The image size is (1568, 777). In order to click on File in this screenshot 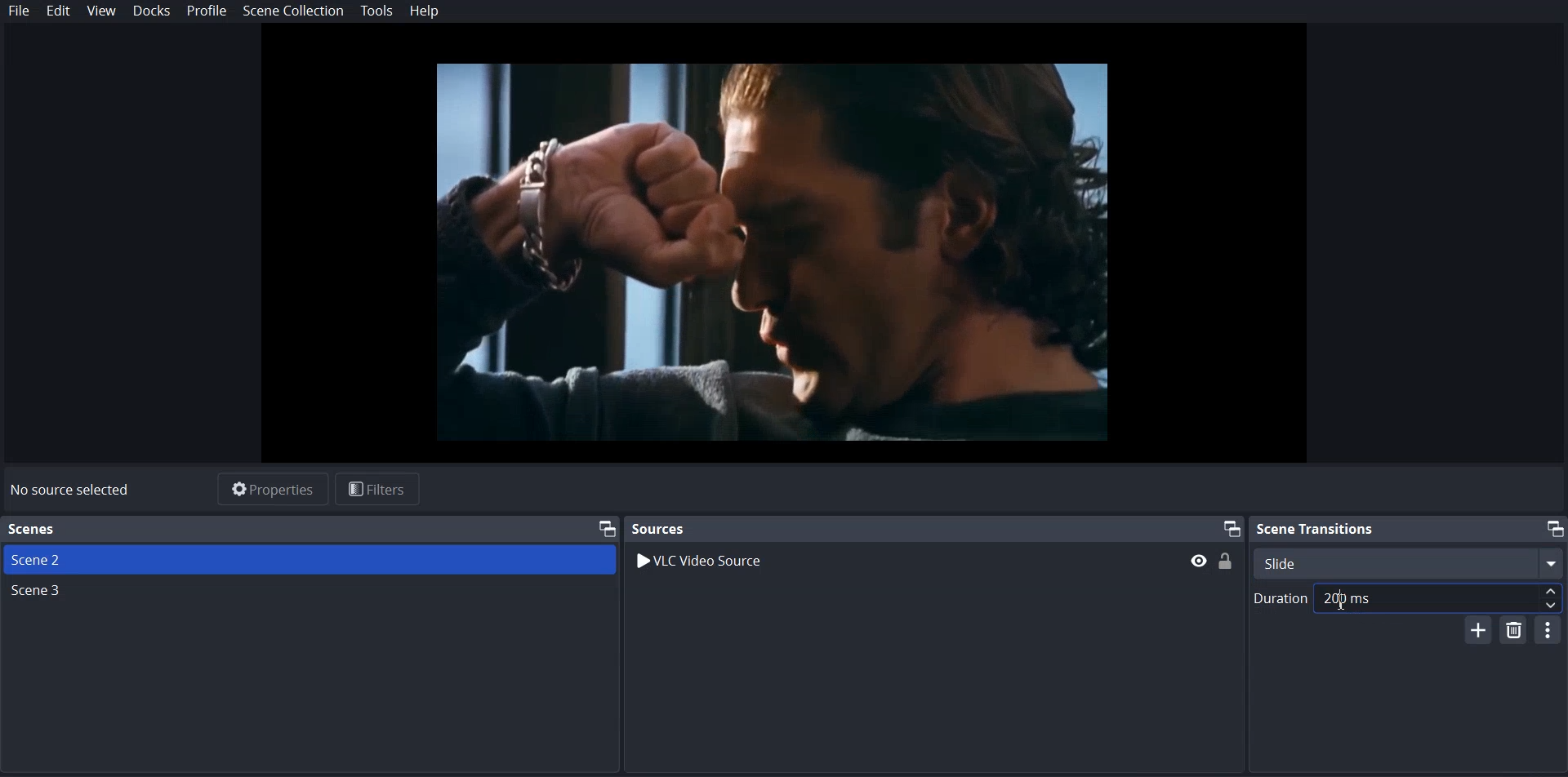, I will do `click(19, 10)`.